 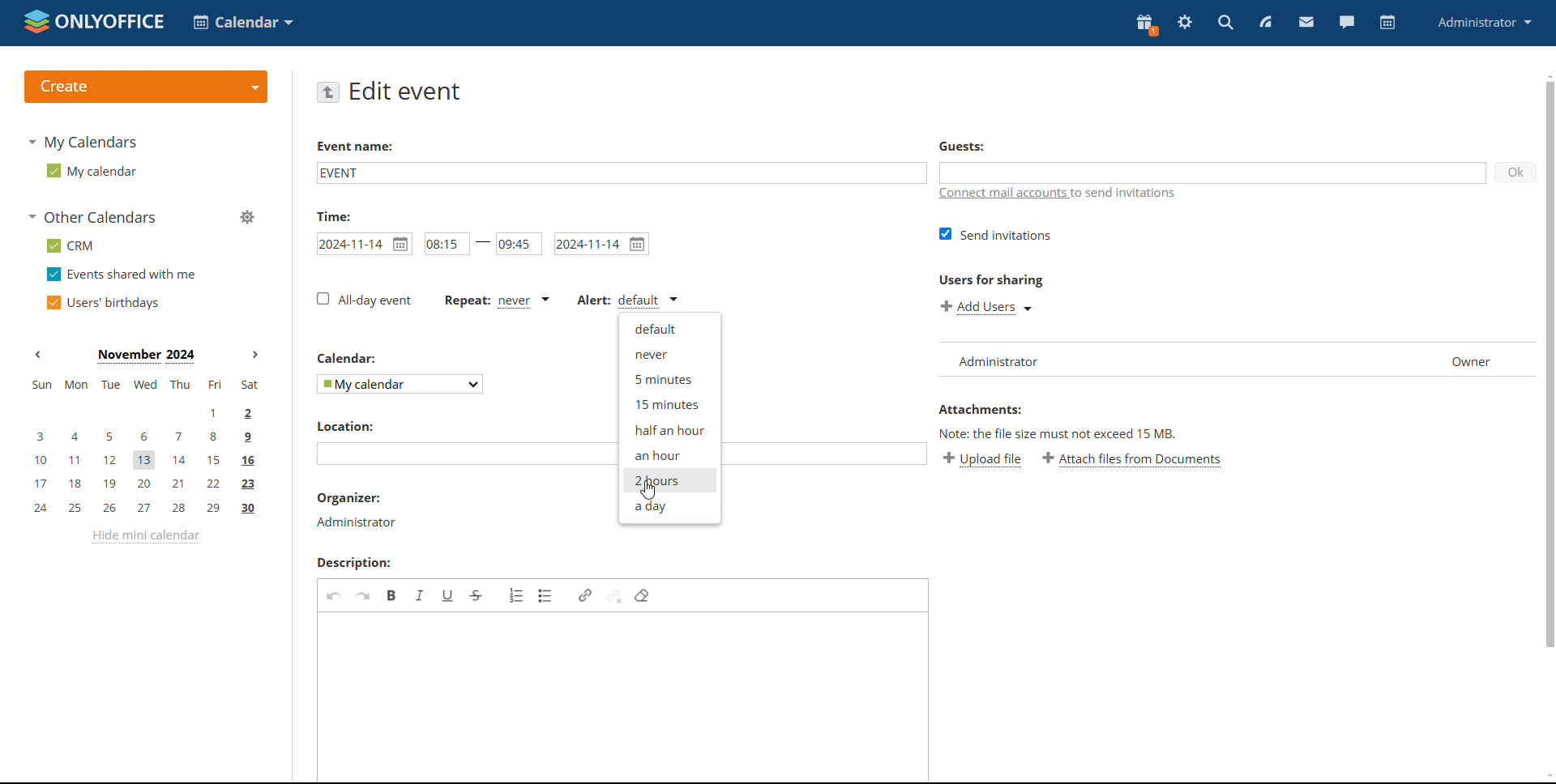 What do you see at coordinates (143, 449) in the screenshot?
I see `mini calendar` at bounding box center [143, 449].